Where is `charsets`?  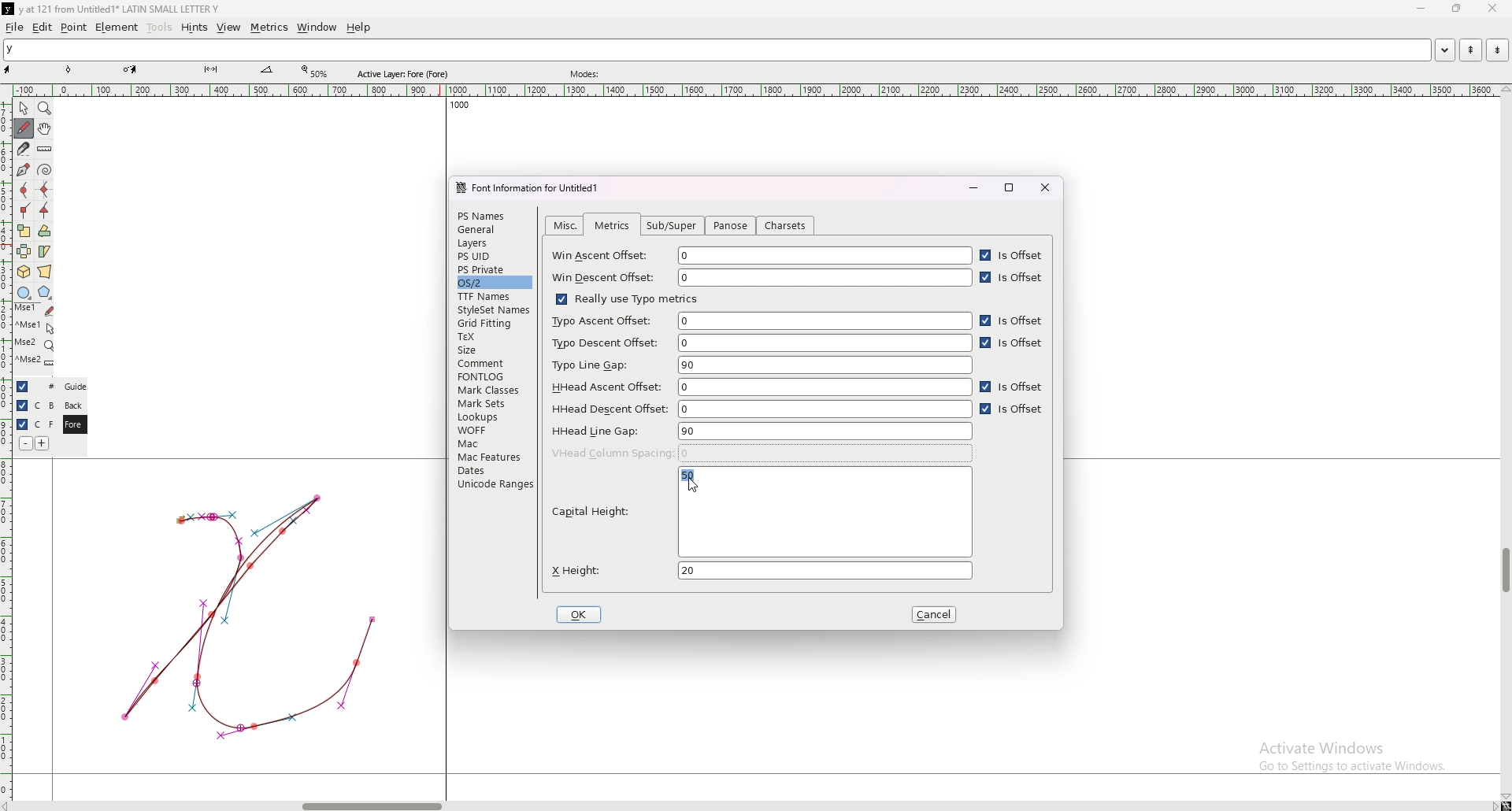 charsets is located at coordinates (786, 226).